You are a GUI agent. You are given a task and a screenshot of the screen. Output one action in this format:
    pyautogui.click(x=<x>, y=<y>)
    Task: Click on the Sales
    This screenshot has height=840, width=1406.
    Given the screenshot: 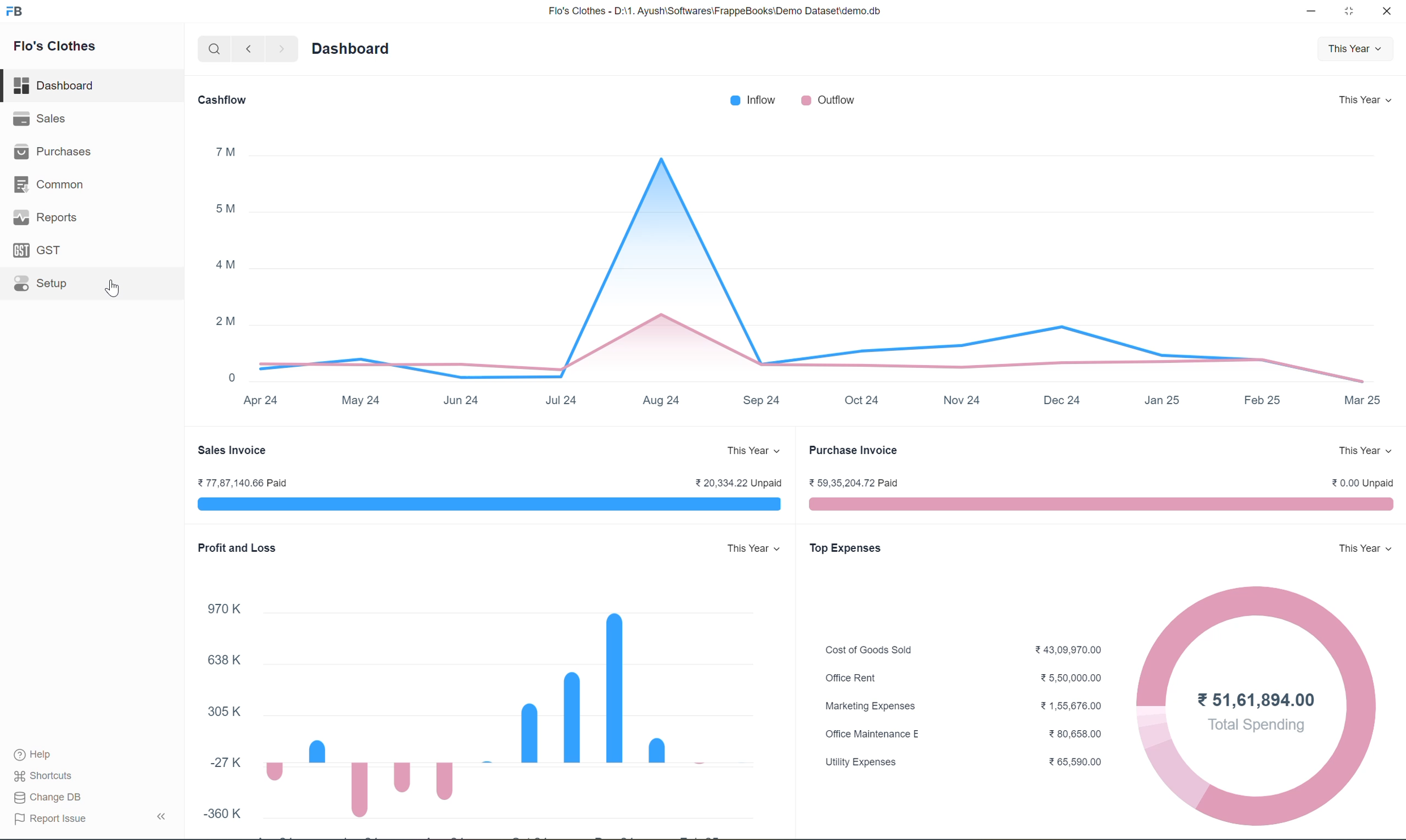 What is the action you would take?
    pyautogui.click(x=43, y=119)
    